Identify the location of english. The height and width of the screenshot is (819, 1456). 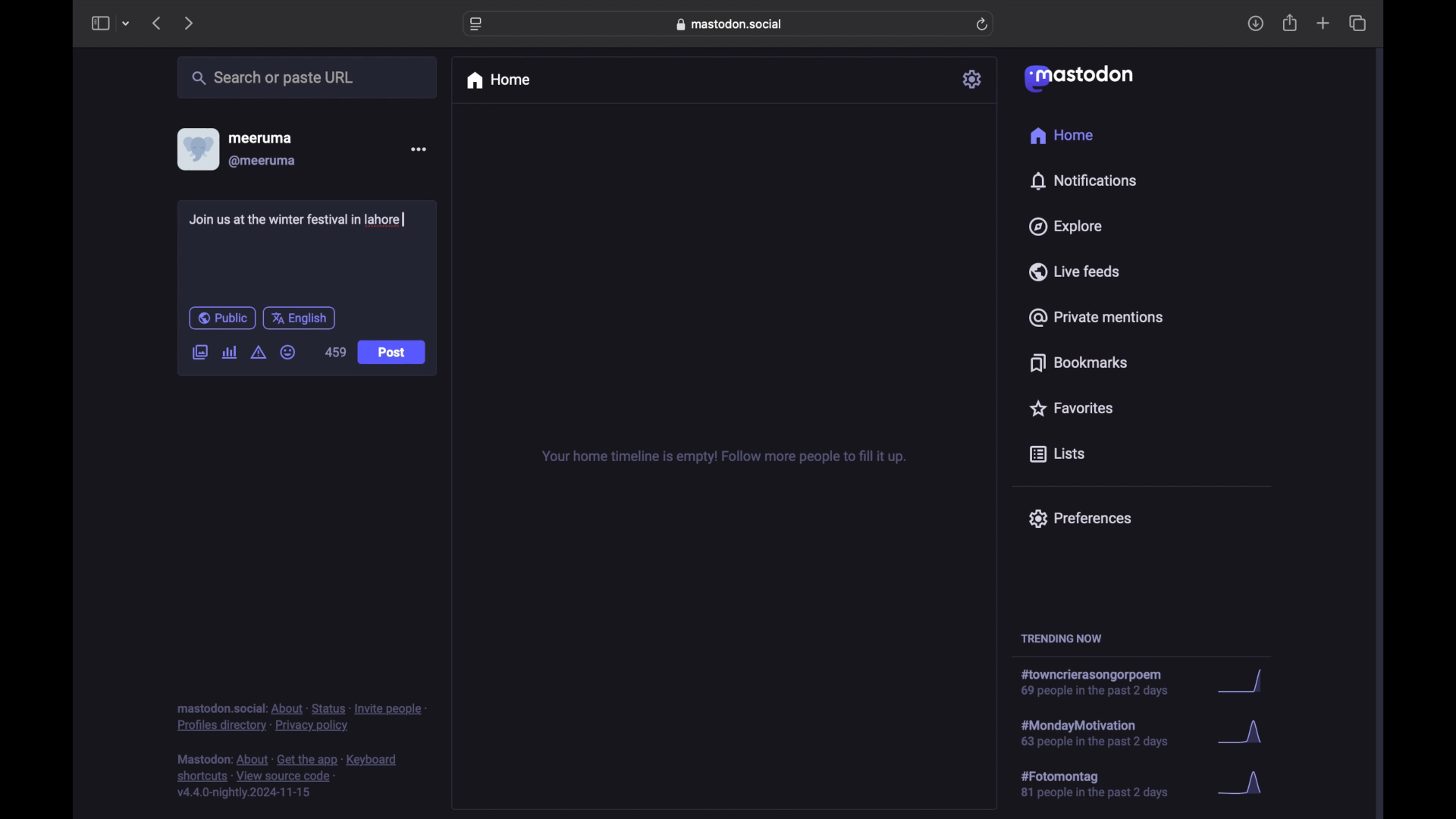
(300, 318).